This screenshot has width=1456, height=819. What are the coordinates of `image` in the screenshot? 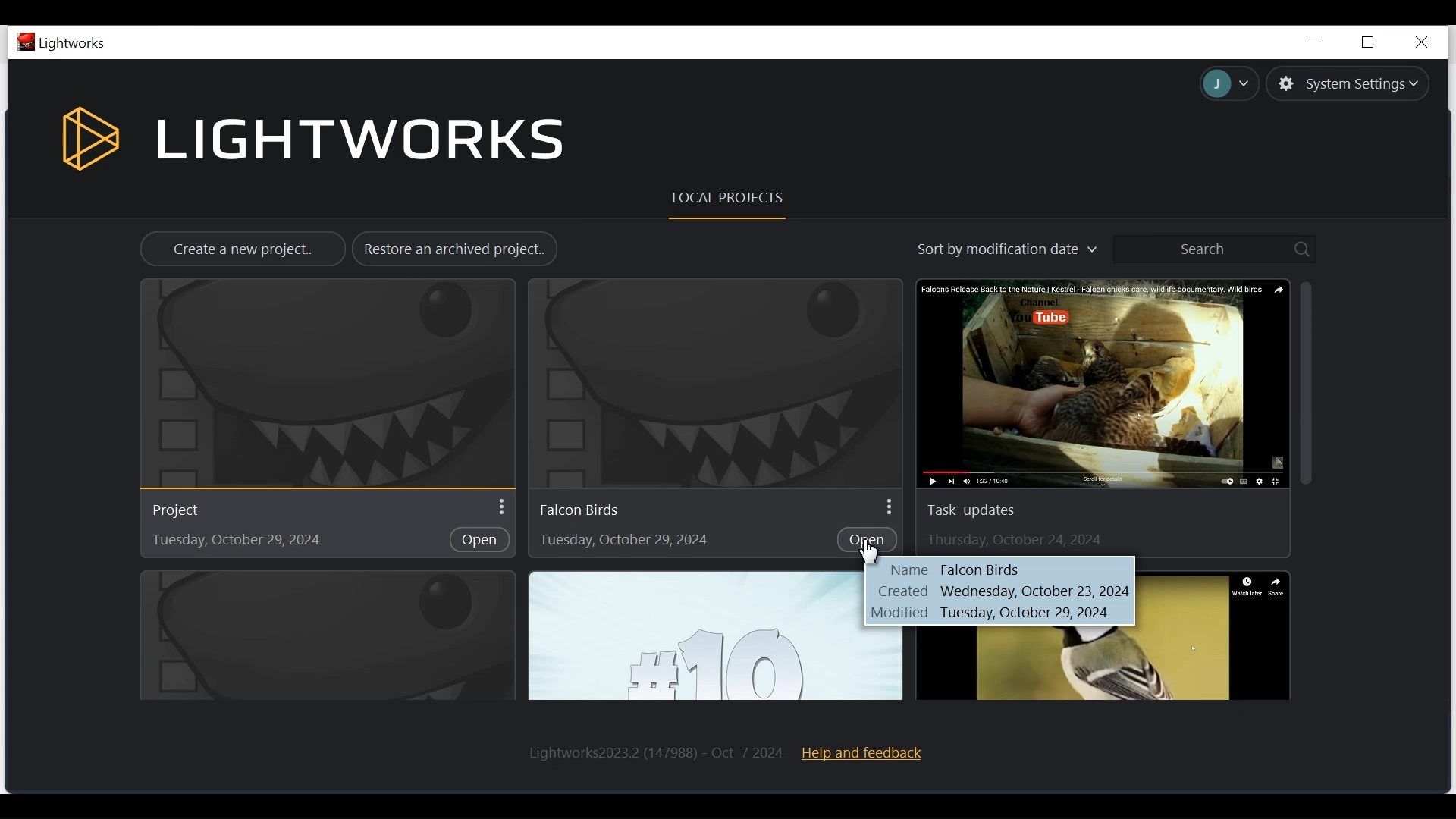 It's located at (1100, 665).